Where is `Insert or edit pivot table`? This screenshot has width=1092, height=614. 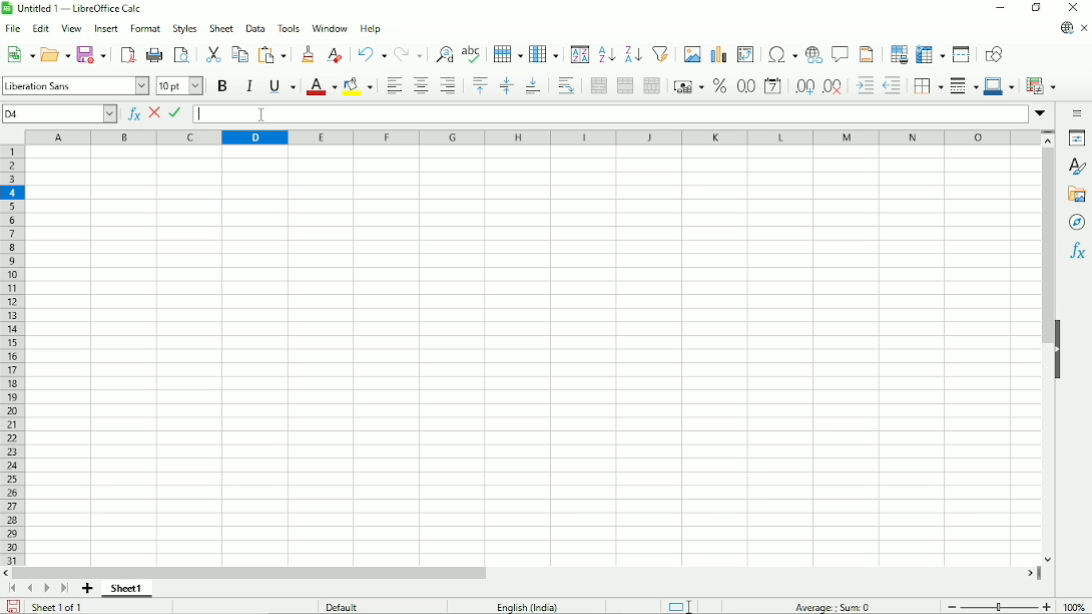
Insert or edit pivot table is located at coordinates (745, 55).